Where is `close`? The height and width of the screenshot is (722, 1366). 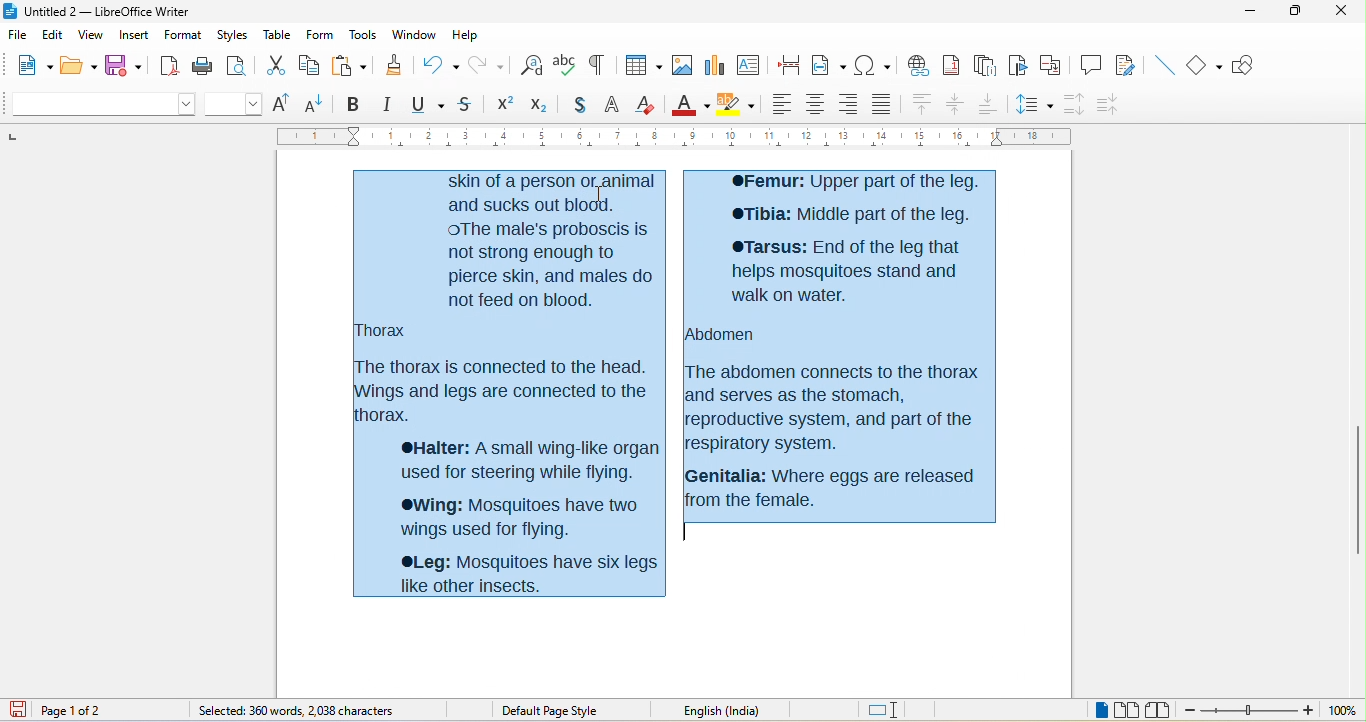
close is located at coordinates (1340, 12).